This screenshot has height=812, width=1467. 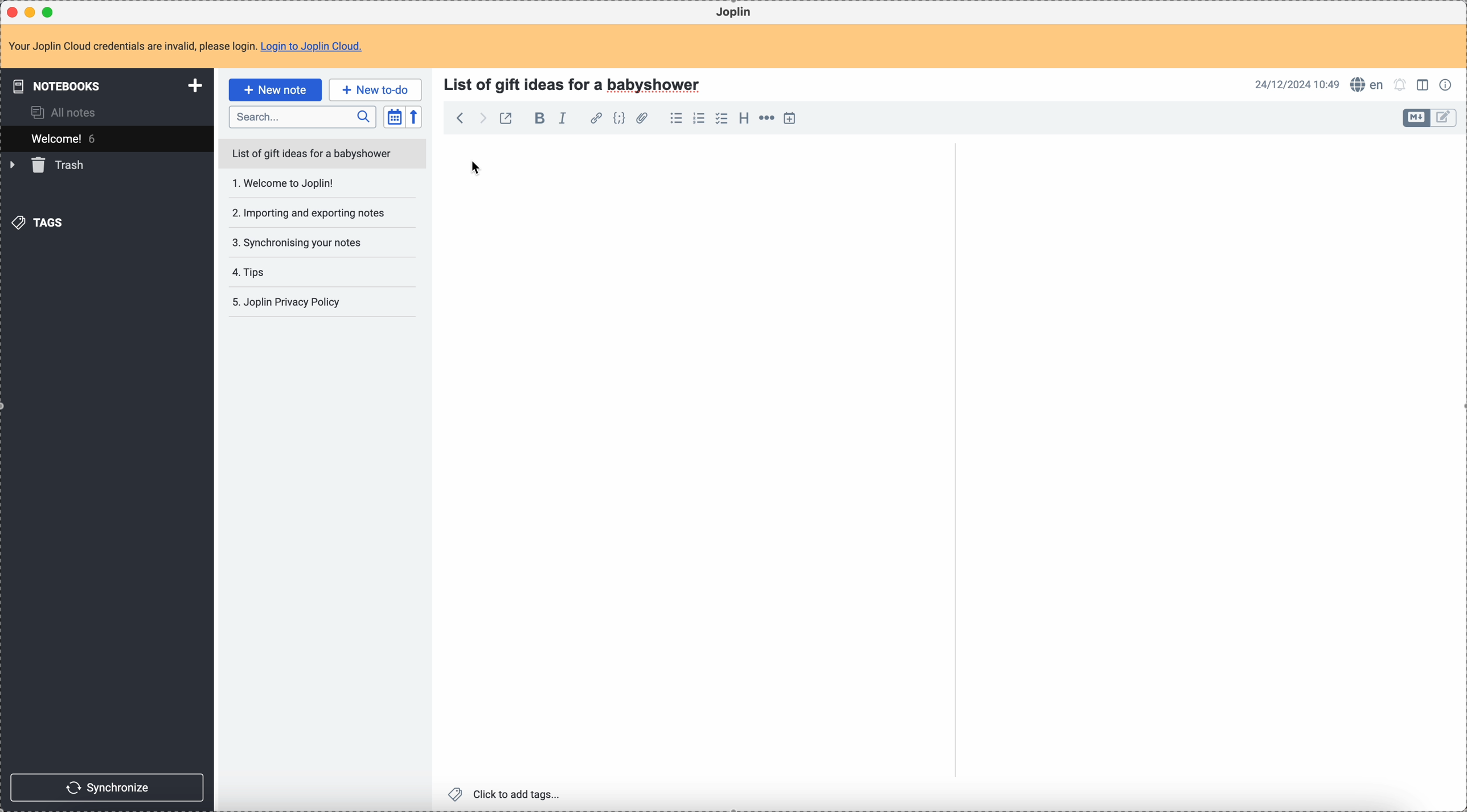 What do you see at coordinates (1444, 118) in the screenshot?
I see `toggle edit layout` at bounding box center [1444, 118].